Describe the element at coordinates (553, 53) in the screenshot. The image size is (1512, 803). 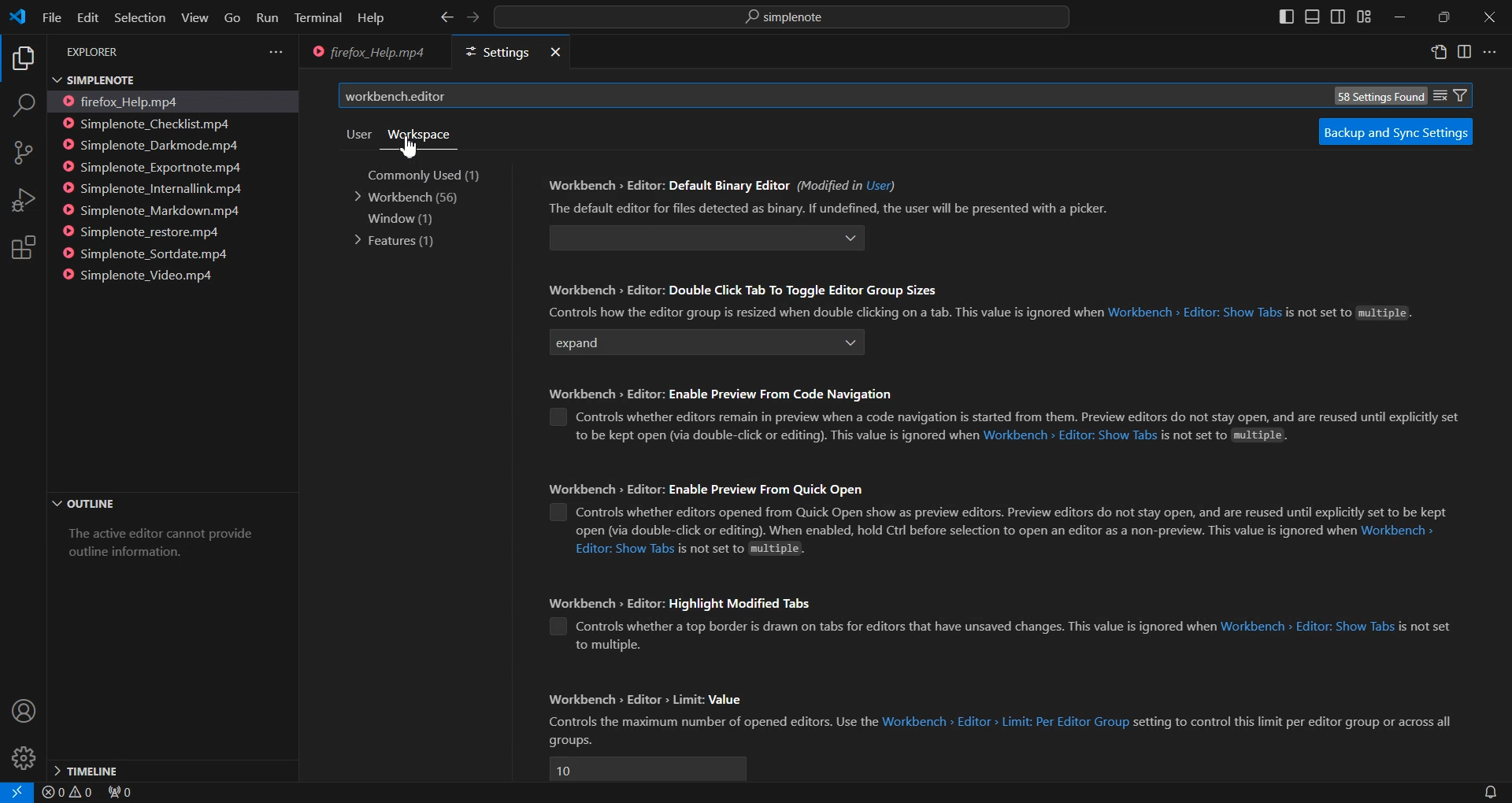
I see `Close` at that location.